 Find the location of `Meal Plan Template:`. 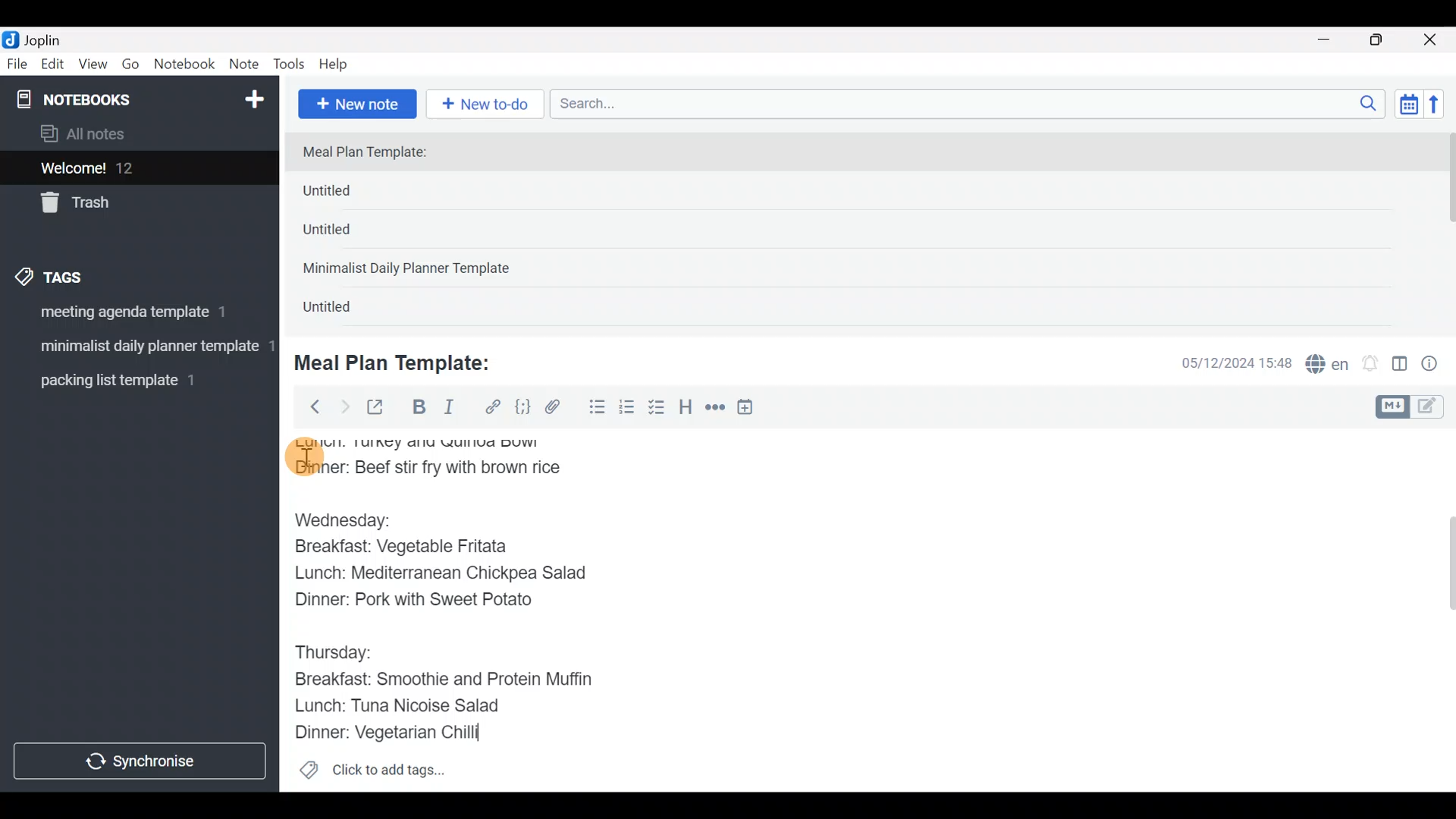

Meal Plan Template: is located at coordinates (374, 153).